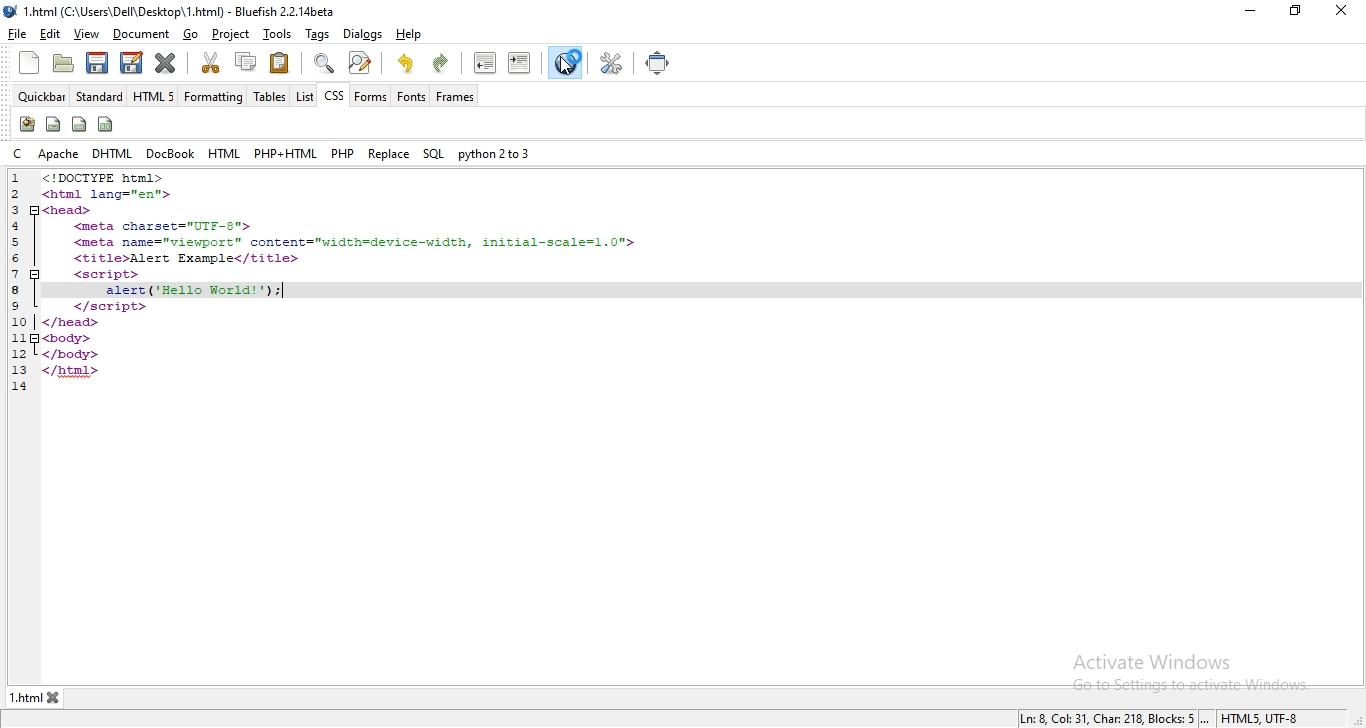 The image size is (1366, 728). Describe the element at coordinates (567, 63) in the screenshot. I see `cursor` at that location.